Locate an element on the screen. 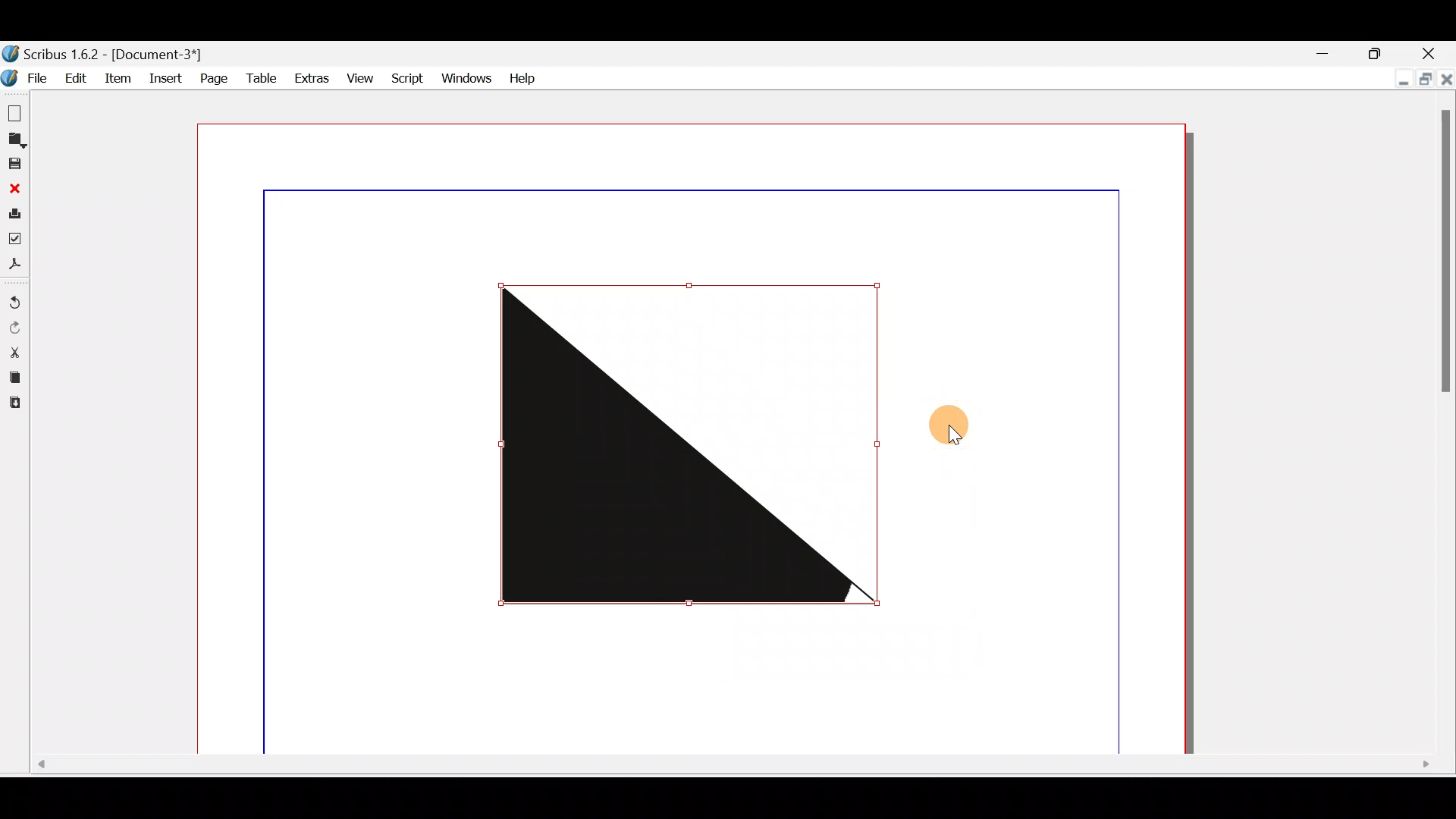  full-page background with a gradient is located at coordinates (693, 437).